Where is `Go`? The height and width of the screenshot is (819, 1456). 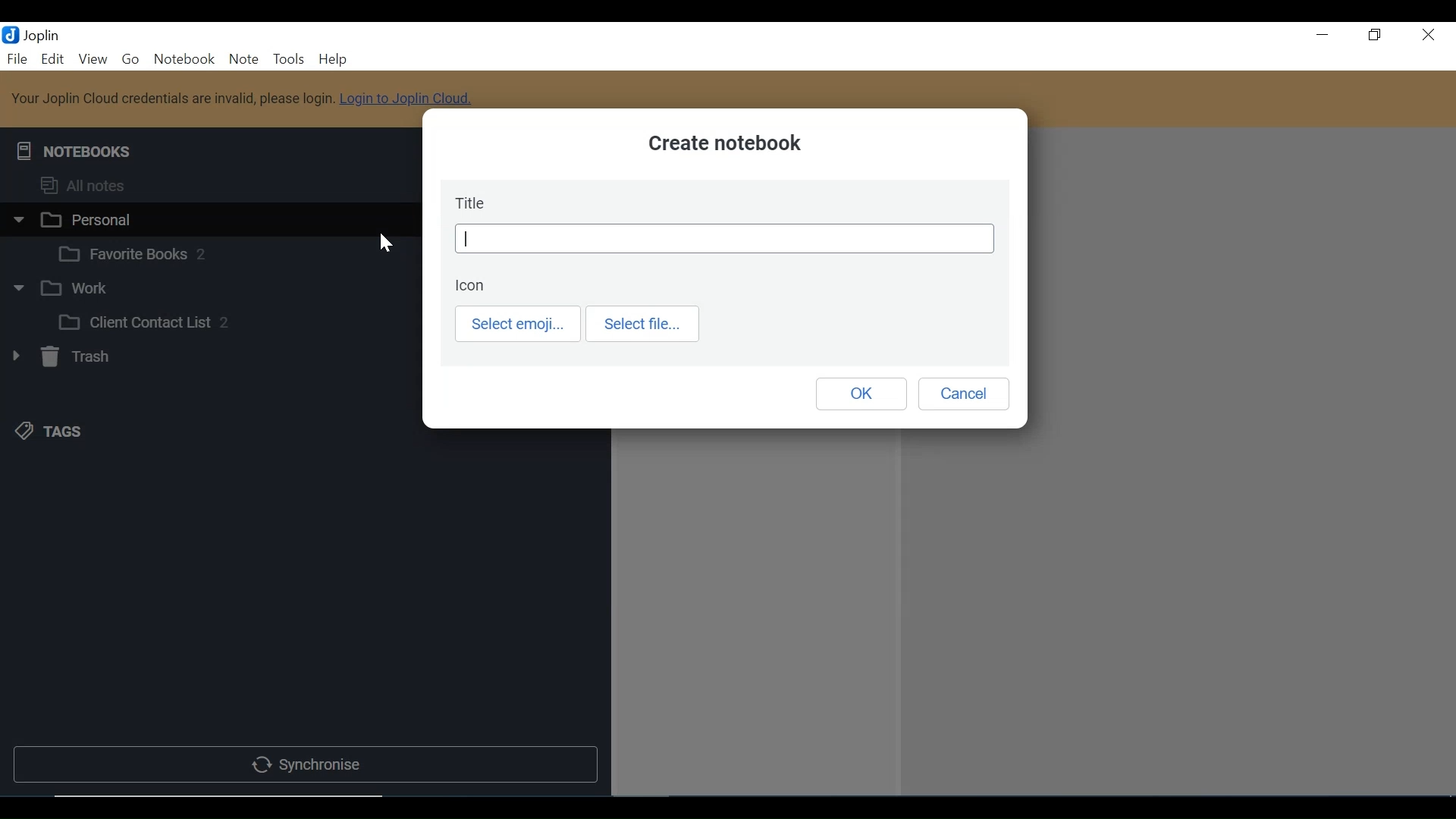
Go is located at coordinates (133, 61).